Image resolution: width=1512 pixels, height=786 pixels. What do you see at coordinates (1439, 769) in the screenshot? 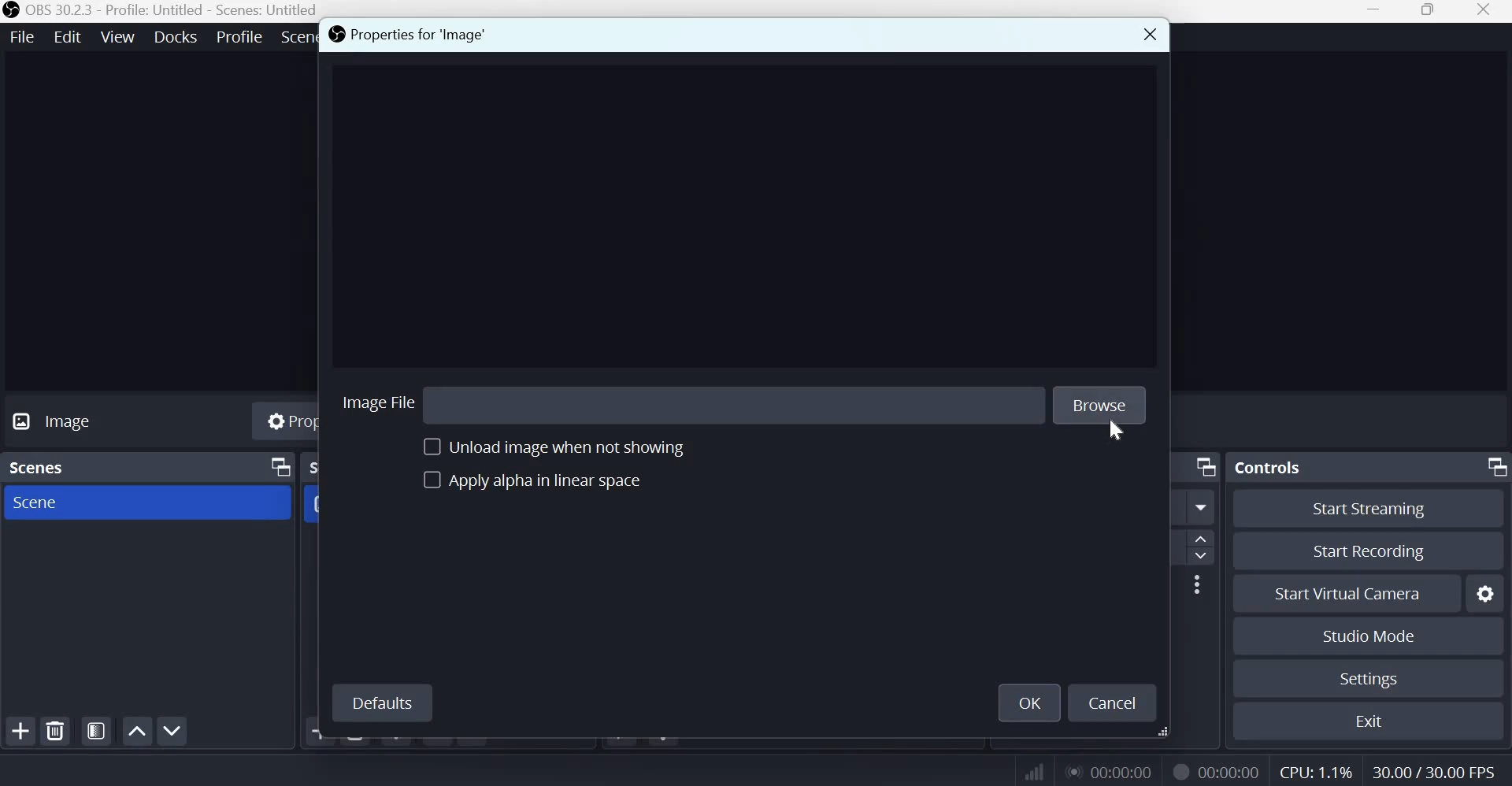
I see `30.00/30.00 FPS` at bounding box center [1439, 769].